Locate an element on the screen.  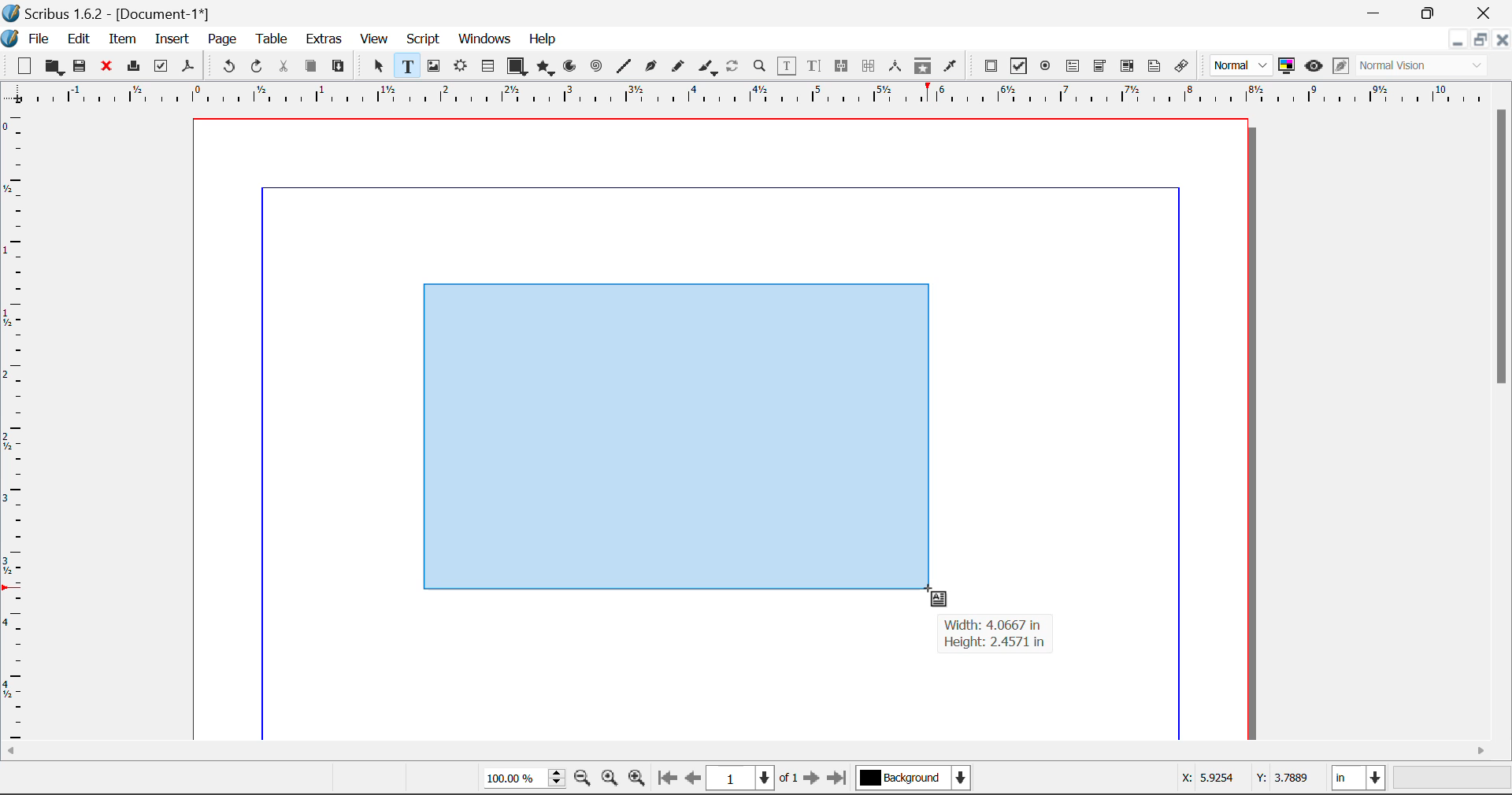
Vertical Page Margins is located at coordinates (764, 94).